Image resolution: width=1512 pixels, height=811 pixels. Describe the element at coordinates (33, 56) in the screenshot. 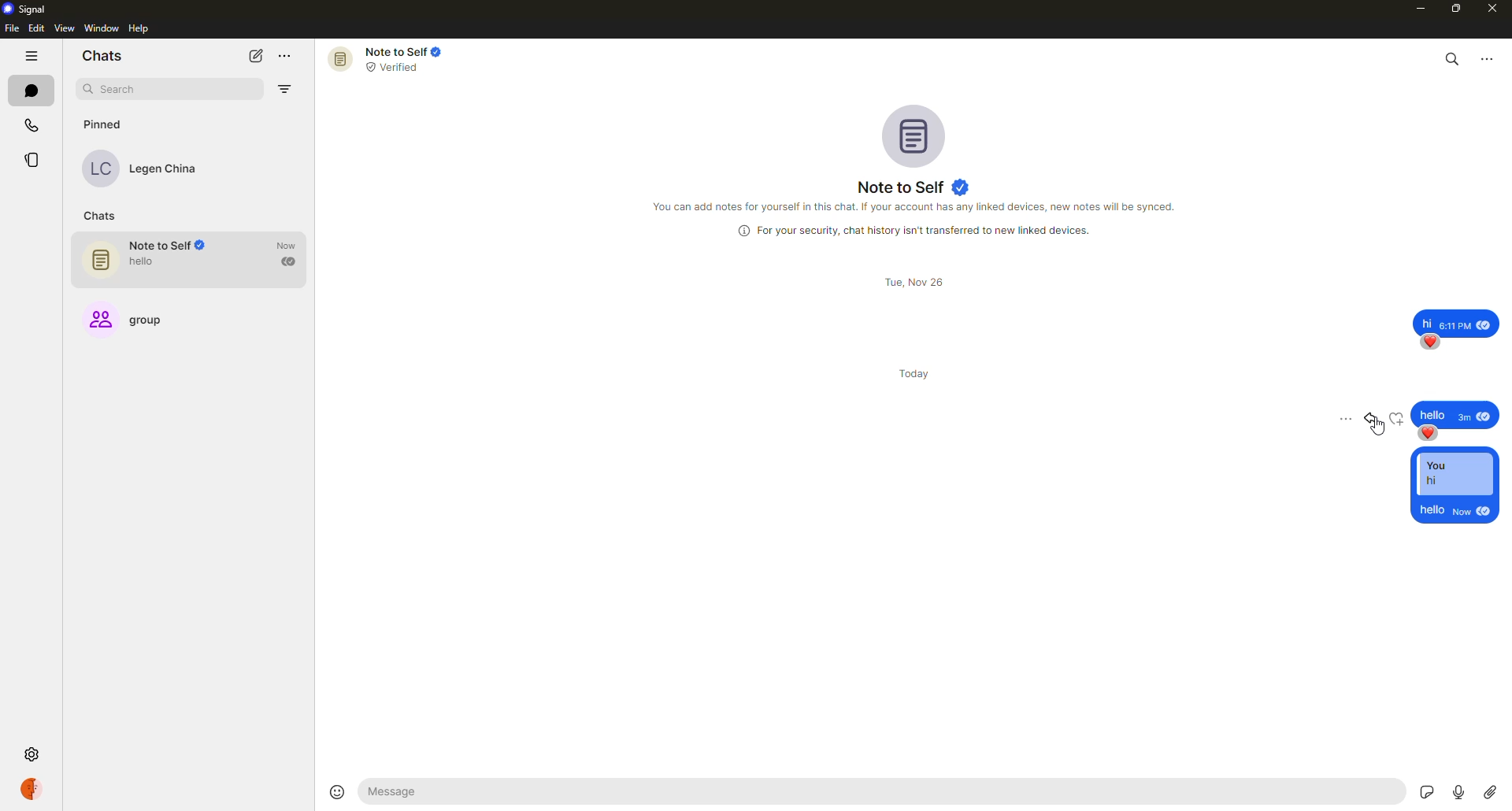

I see `hide tabs` at that location.